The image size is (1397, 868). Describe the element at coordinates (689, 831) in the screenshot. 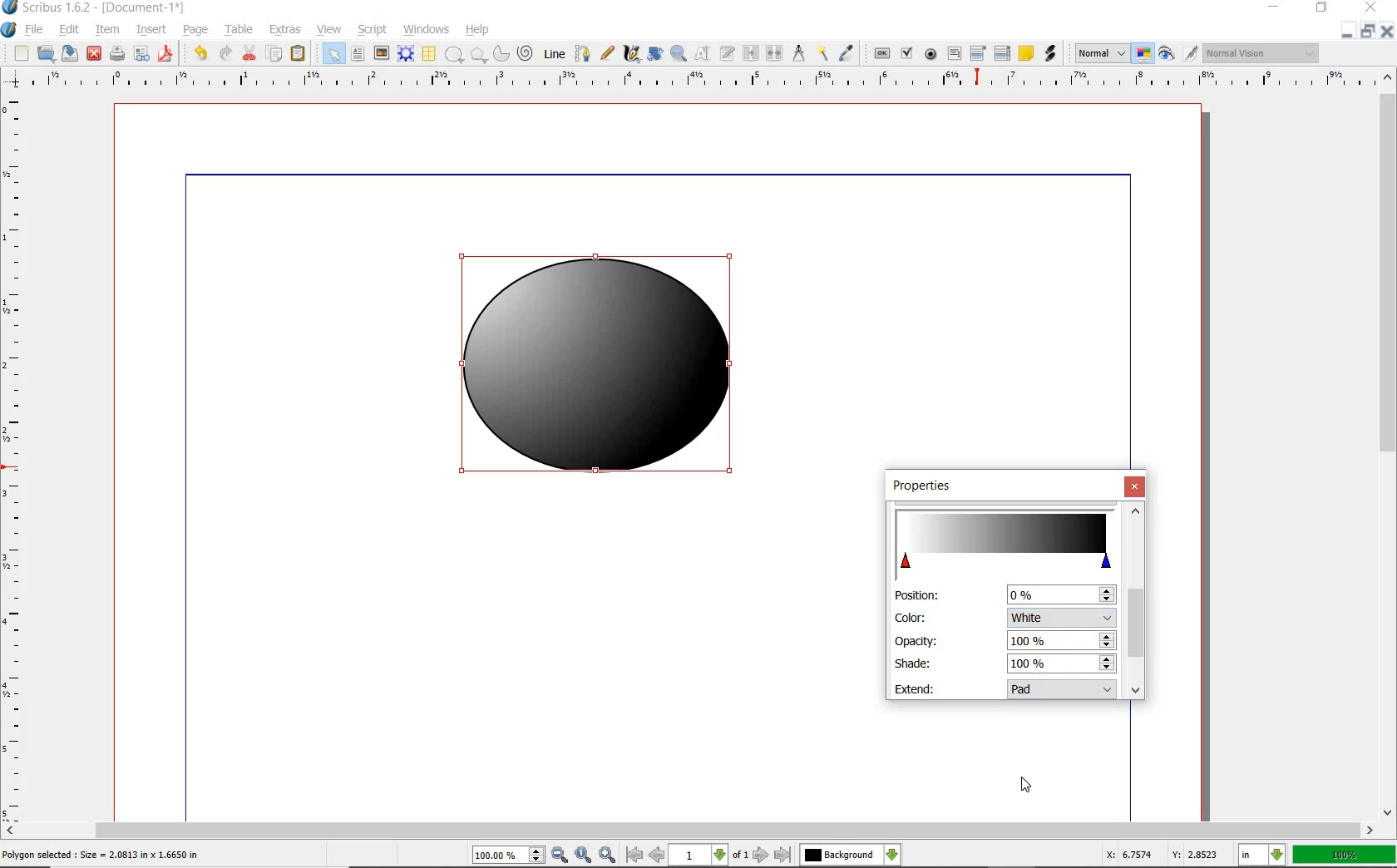

I see `SCROLLBAR` at that location.